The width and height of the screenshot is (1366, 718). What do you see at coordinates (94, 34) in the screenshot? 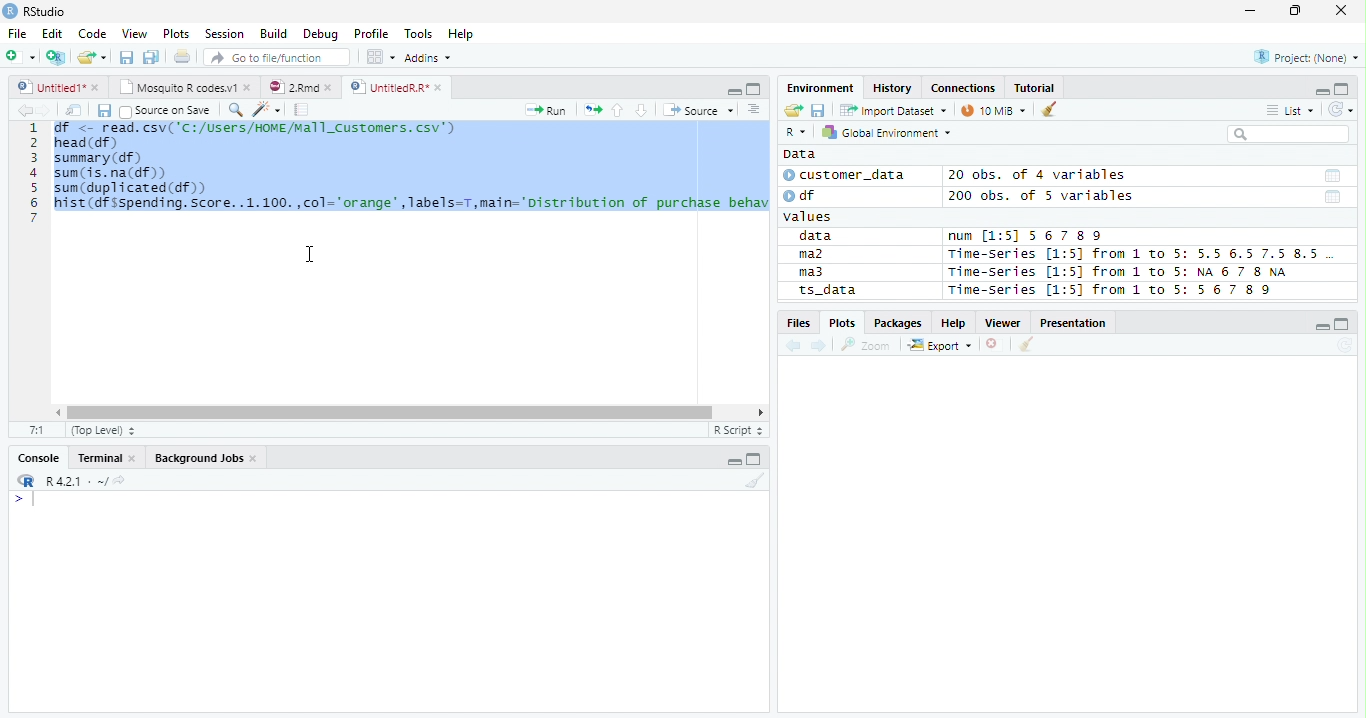
I see `Code` at bounding box center [94, 34].